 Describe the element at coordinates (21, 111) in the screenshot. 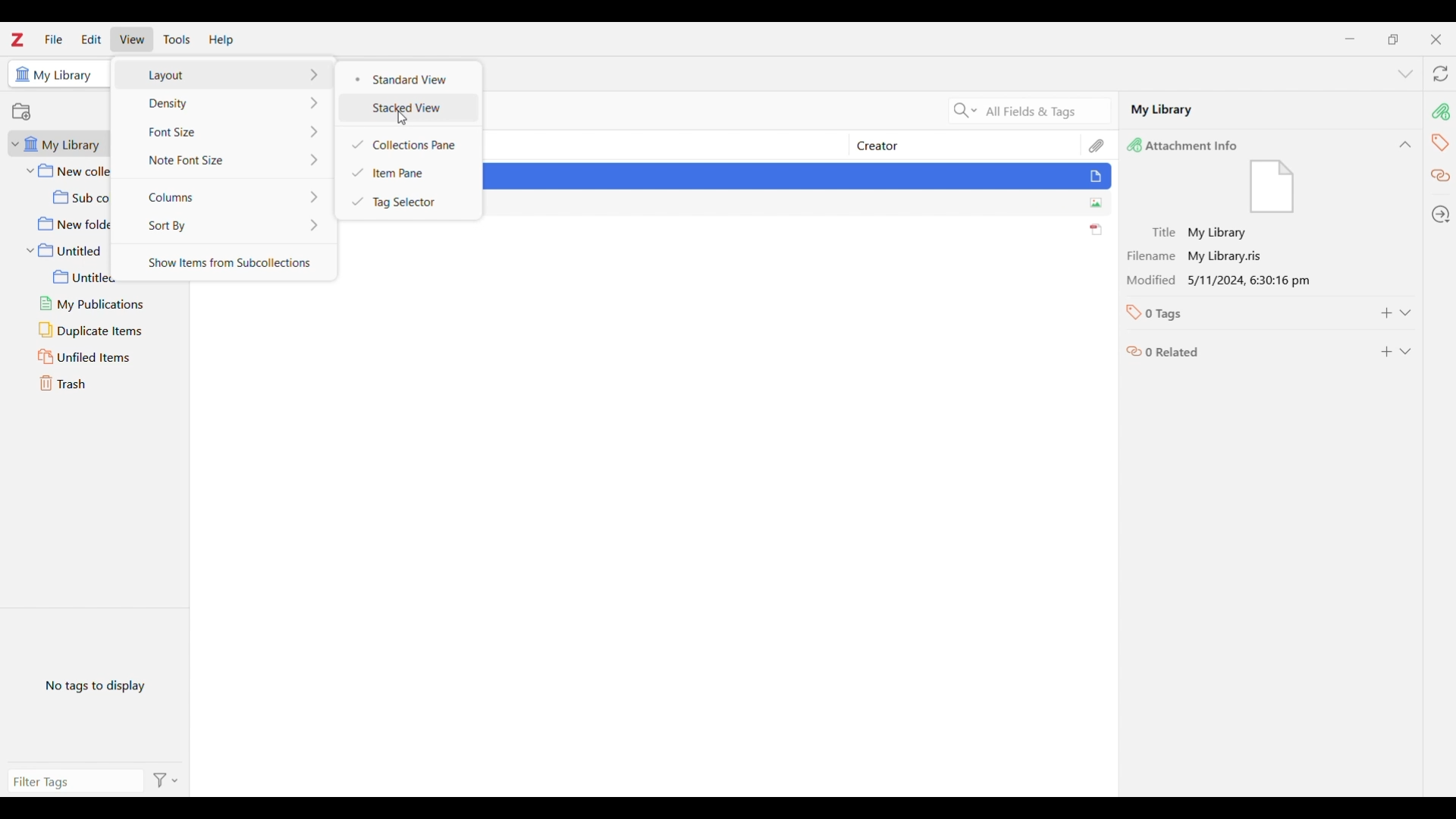

I see `Add new collection` at that location.